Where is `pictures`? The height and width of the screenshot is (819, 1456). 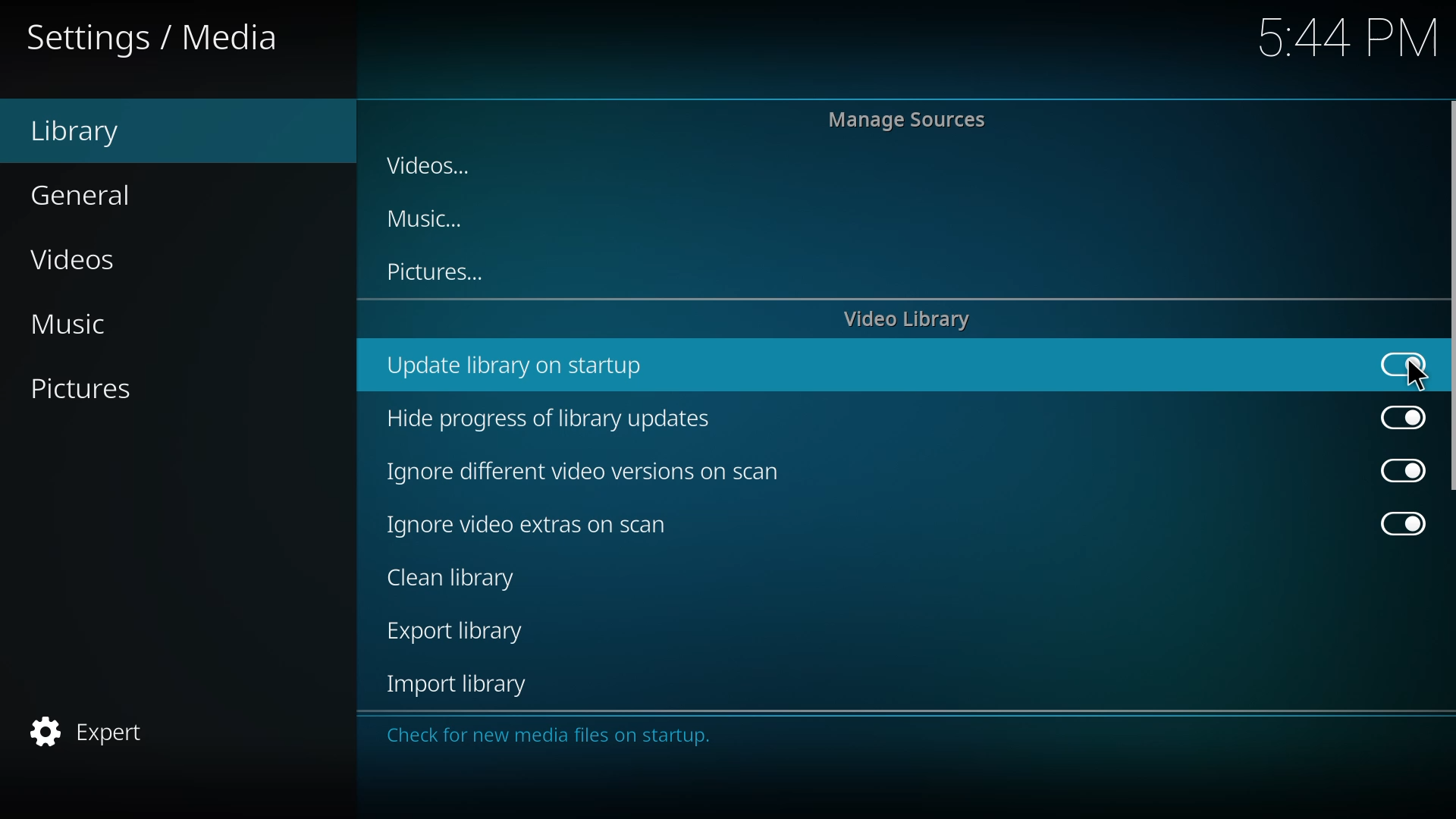
pictures is located at coordinates (434, 270).